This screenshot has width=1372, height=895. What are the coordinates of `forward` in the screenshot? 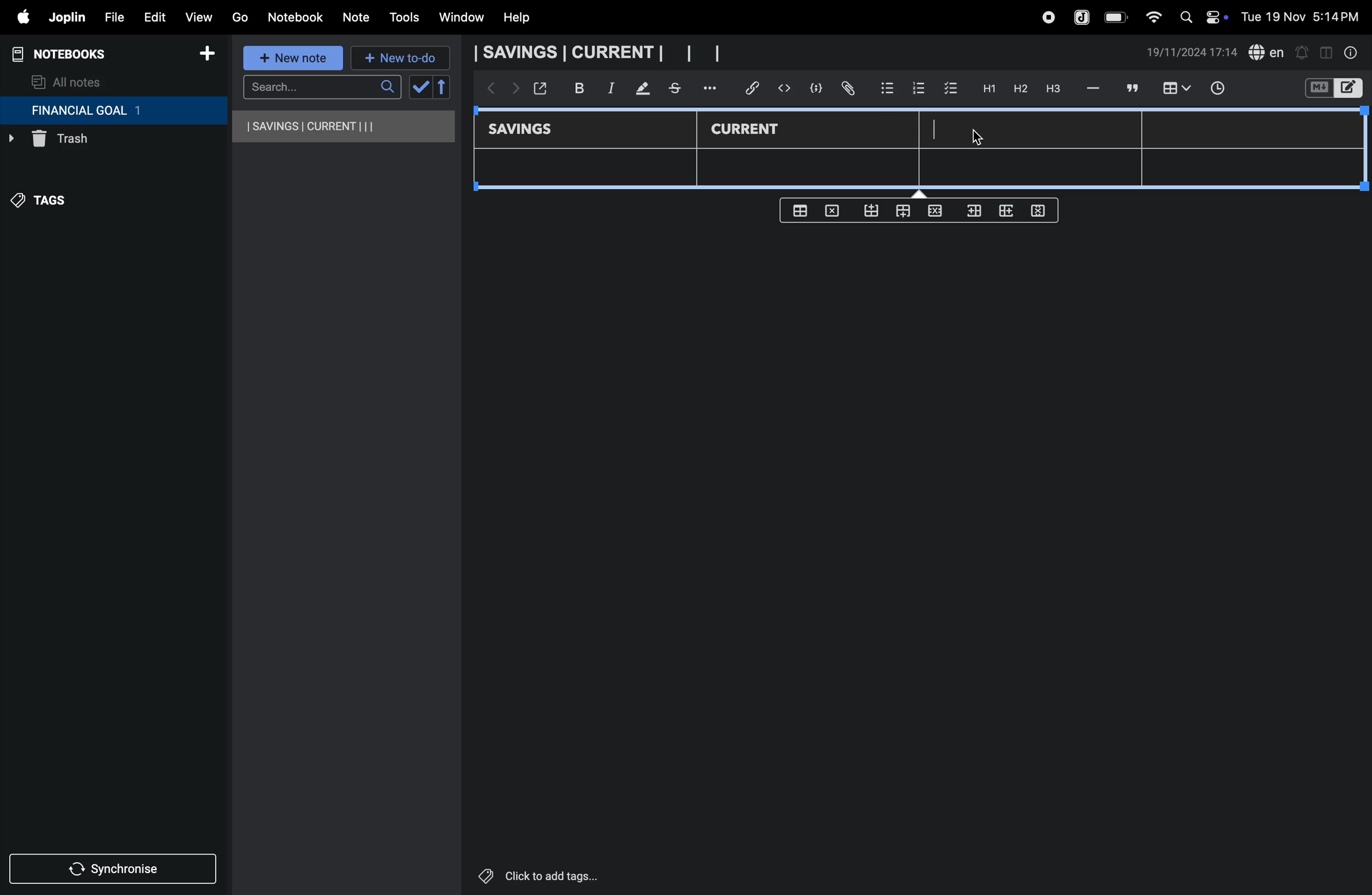 It's located at (512, 91).